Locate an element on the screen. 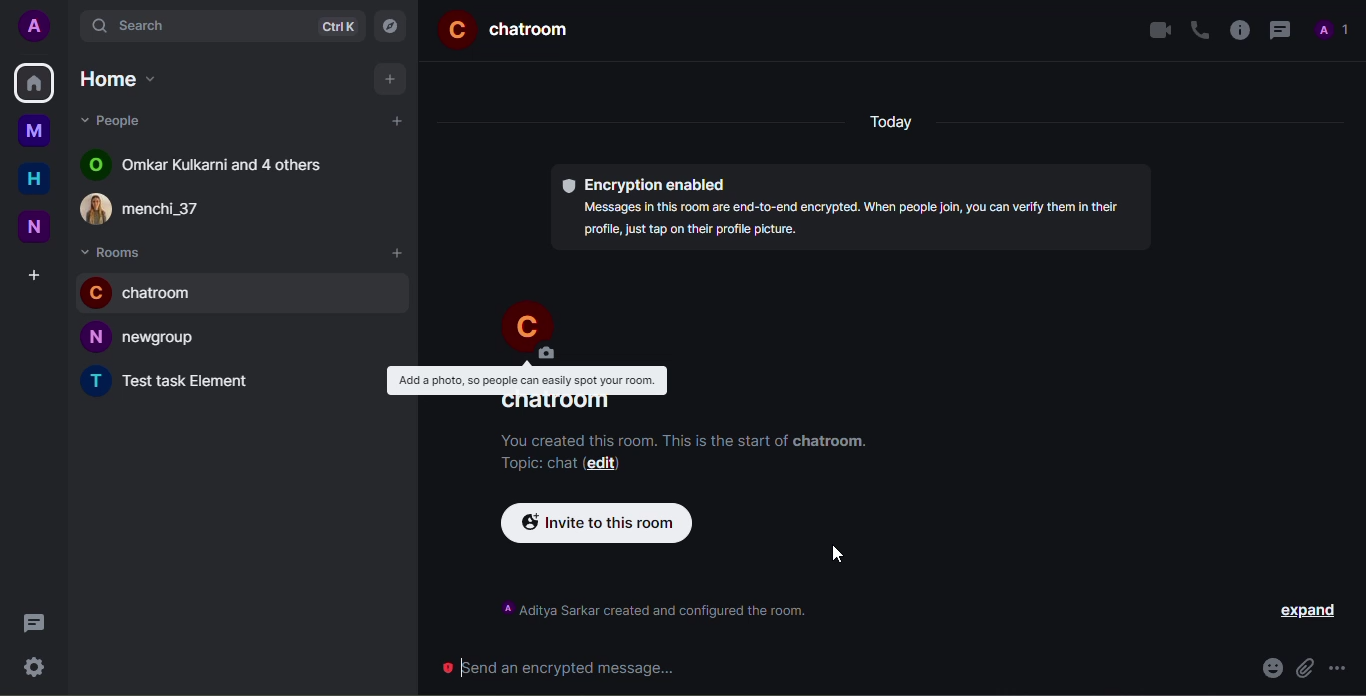  new is located at coordinates (34, 228).